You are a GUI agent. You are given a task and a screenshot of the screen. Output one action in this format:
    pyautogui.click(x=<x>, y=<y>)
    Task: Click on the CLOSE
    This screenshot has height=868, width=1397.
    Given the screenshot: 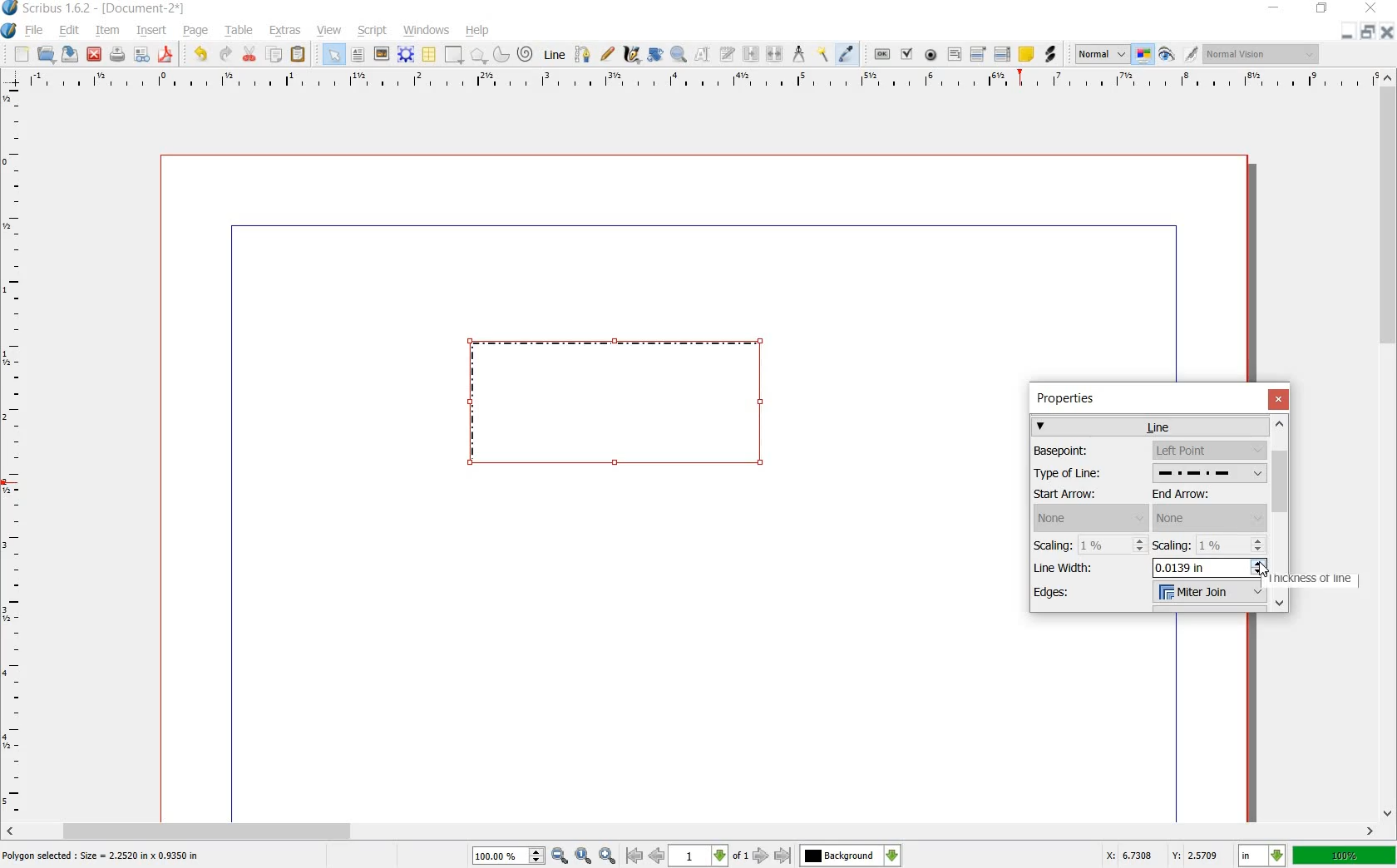 What is the action you would take?
    pyautogui.click(x=94, y=54)
    